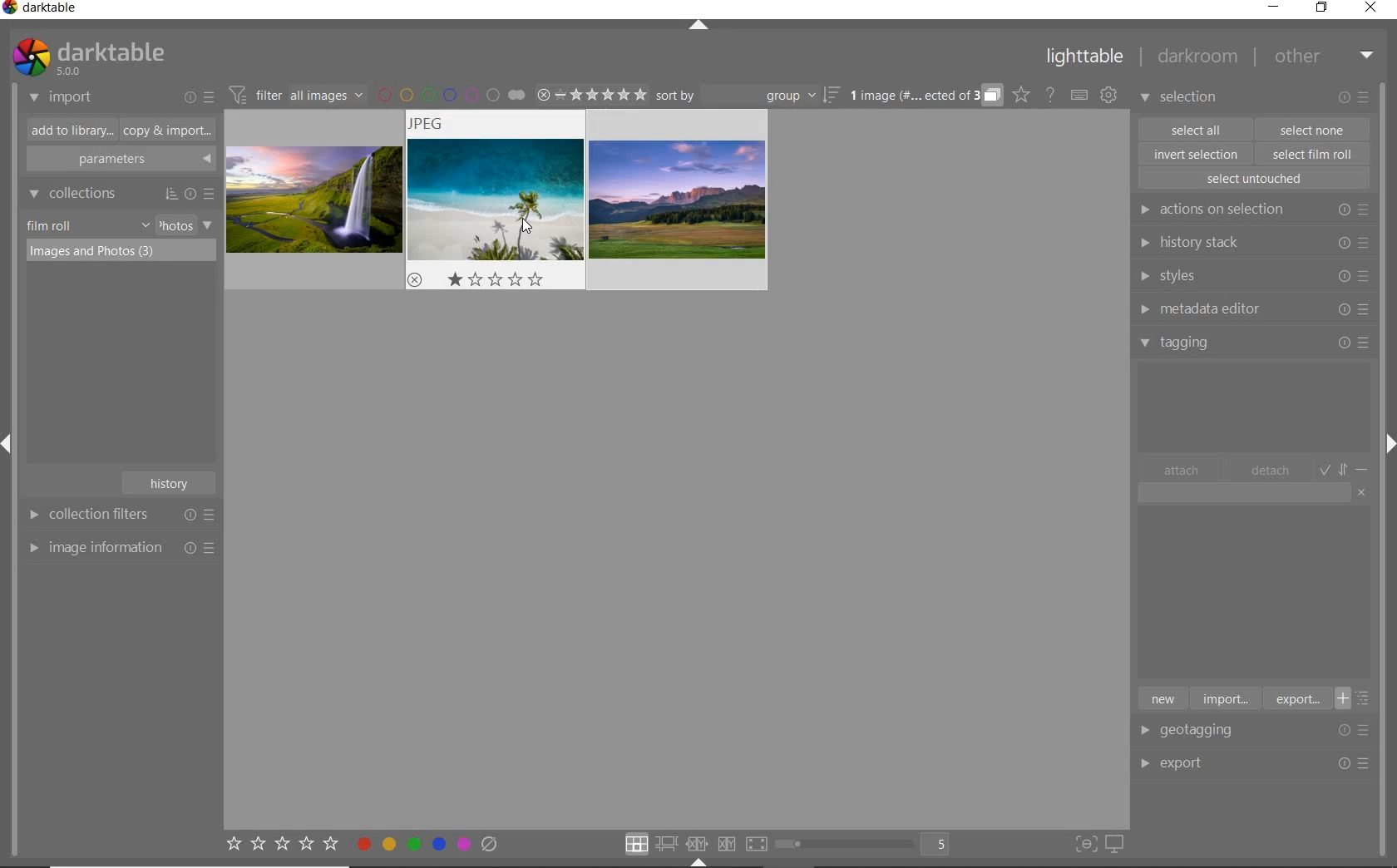  Describe the element at coordinates (1355, 764) in the screenshot. I see `Options` at that location.